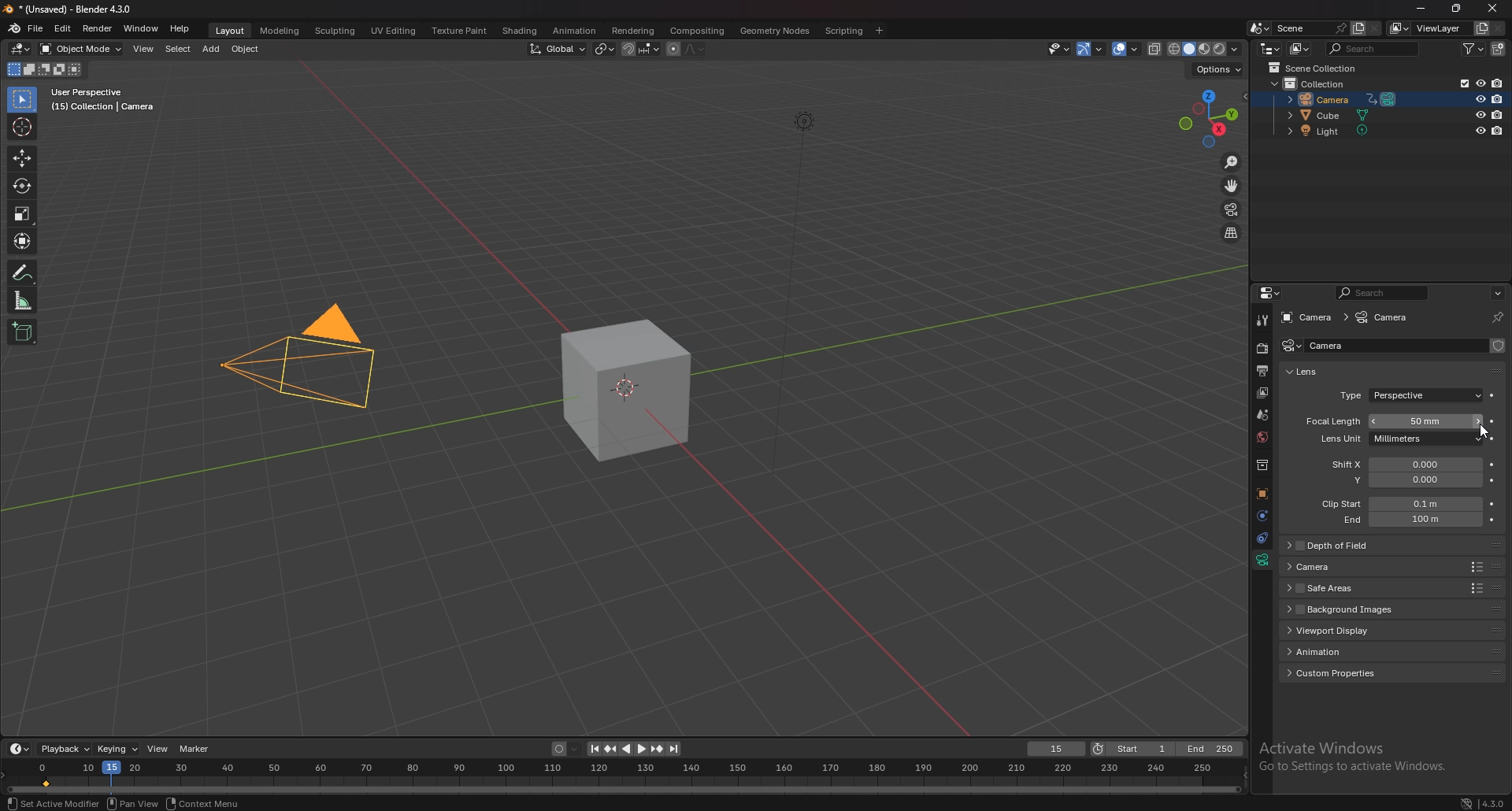 This screenshot has width=1512, height=811. I want to click on window, so click(142, 28).